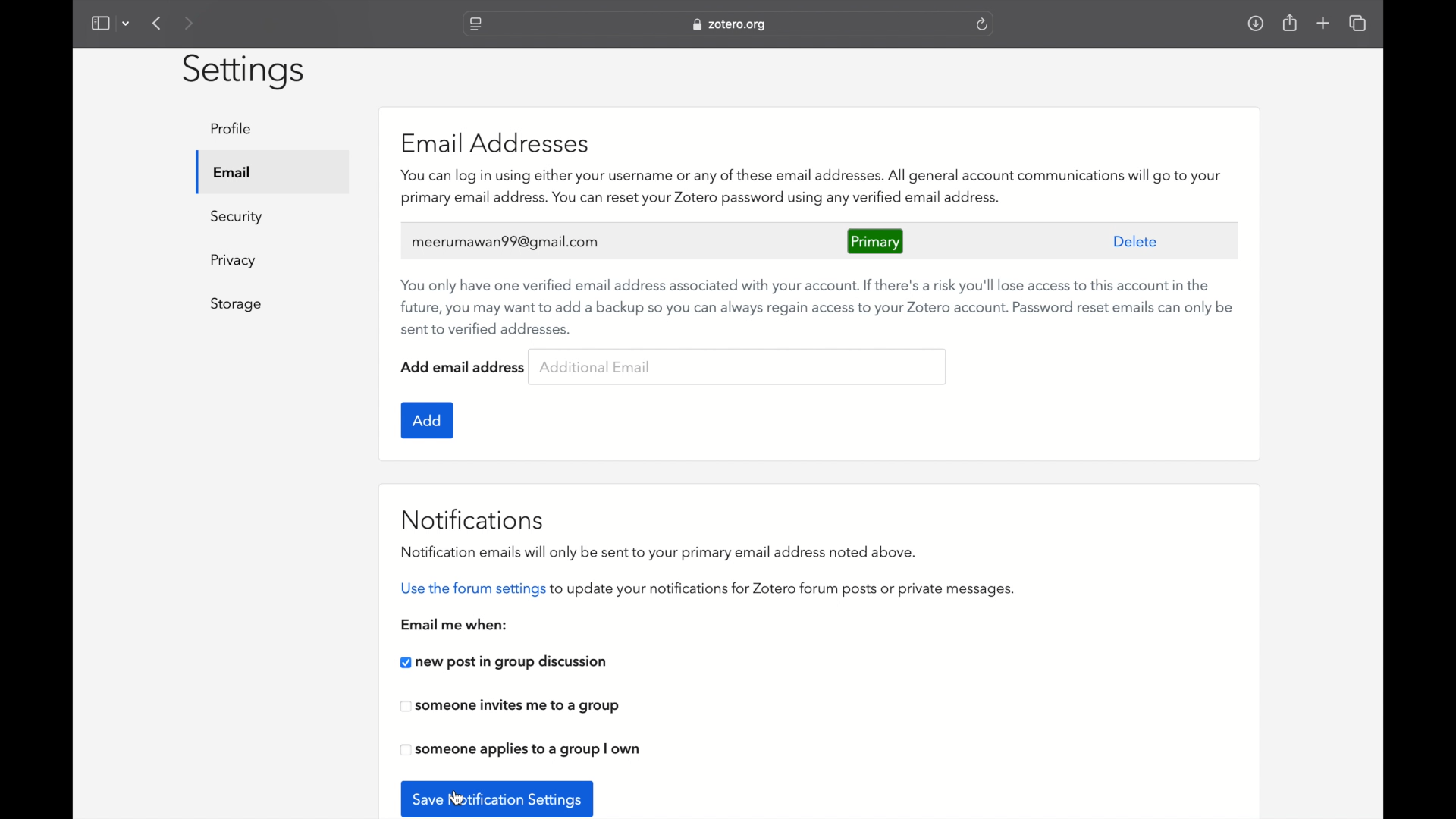 The width and height of the screenshot is (1456, 819). I want to click on someone invites me to a group, so click(511, 707).